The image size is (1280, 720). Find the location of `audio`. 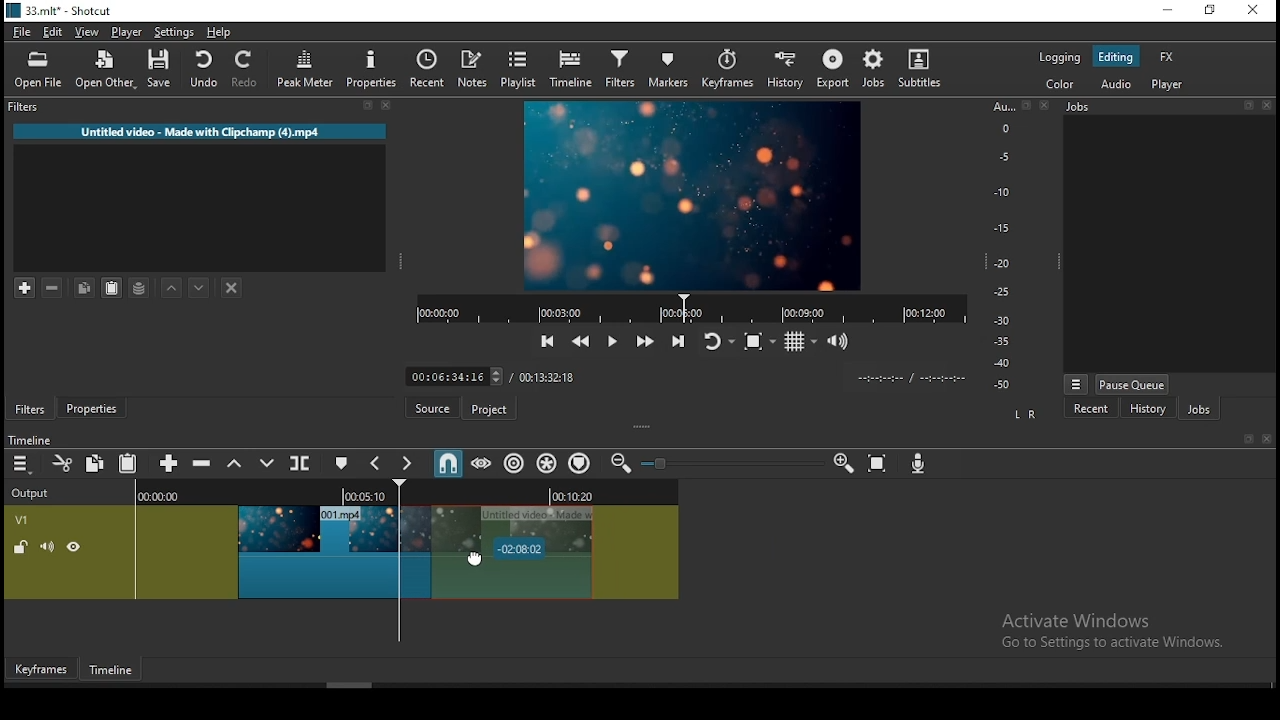

audio is located at coordinates (1117, 84).